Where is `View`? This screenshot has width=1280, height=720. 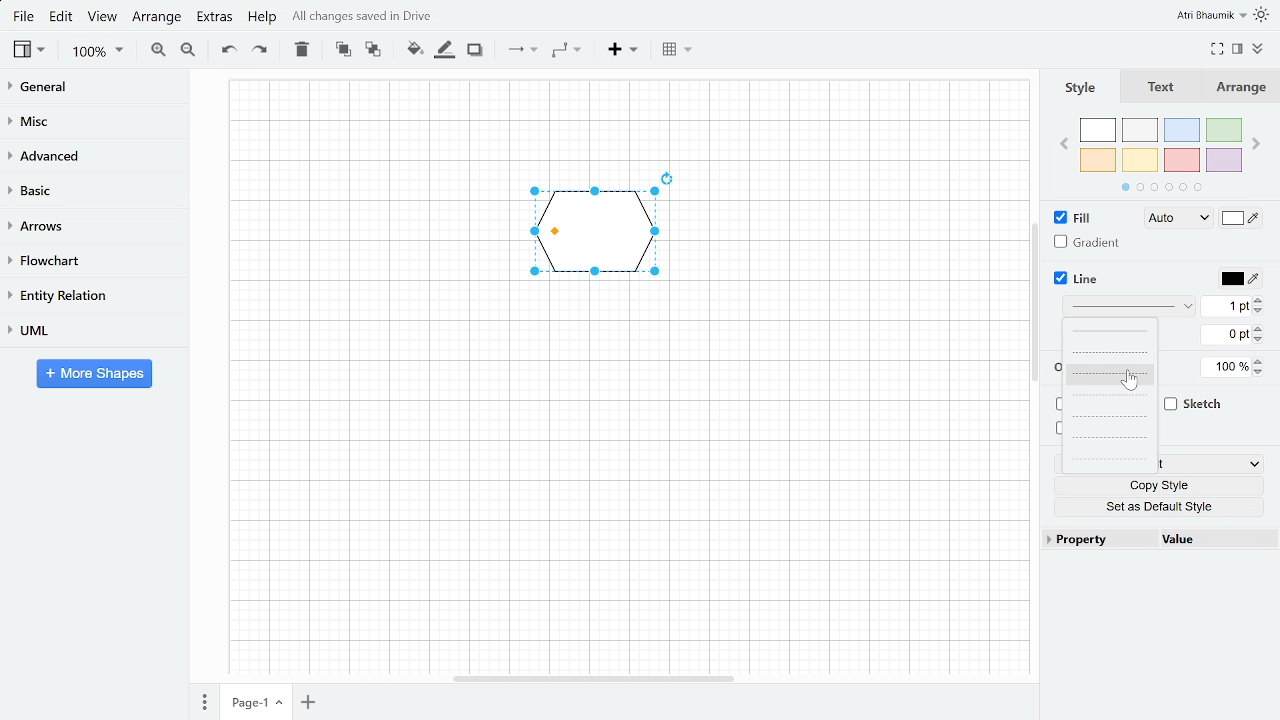
View is located at coordinates (100, 17).